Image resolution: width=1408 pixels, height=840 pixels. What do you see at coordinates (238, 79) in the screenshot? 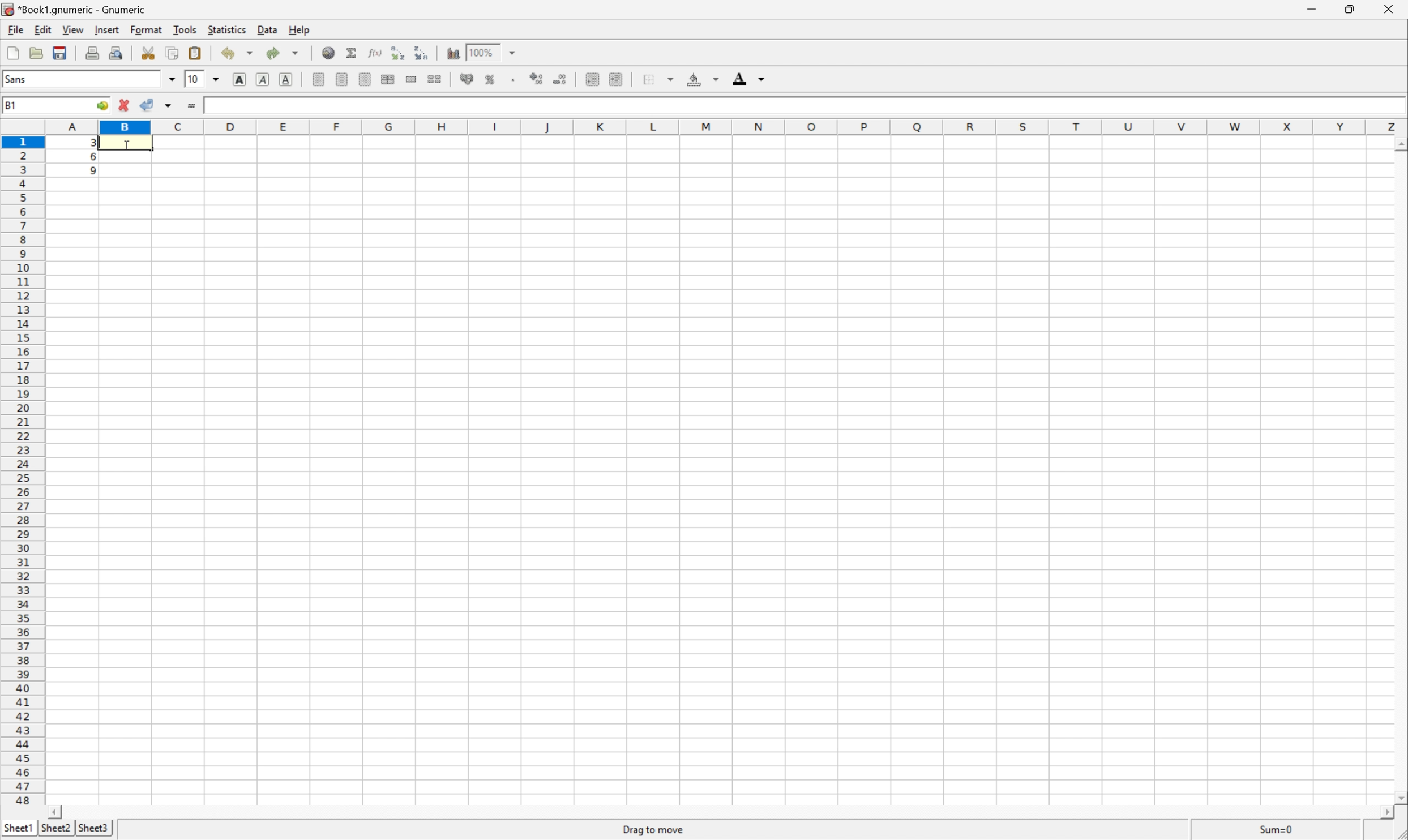
I see `Bold` at bounding box center [238, 79].